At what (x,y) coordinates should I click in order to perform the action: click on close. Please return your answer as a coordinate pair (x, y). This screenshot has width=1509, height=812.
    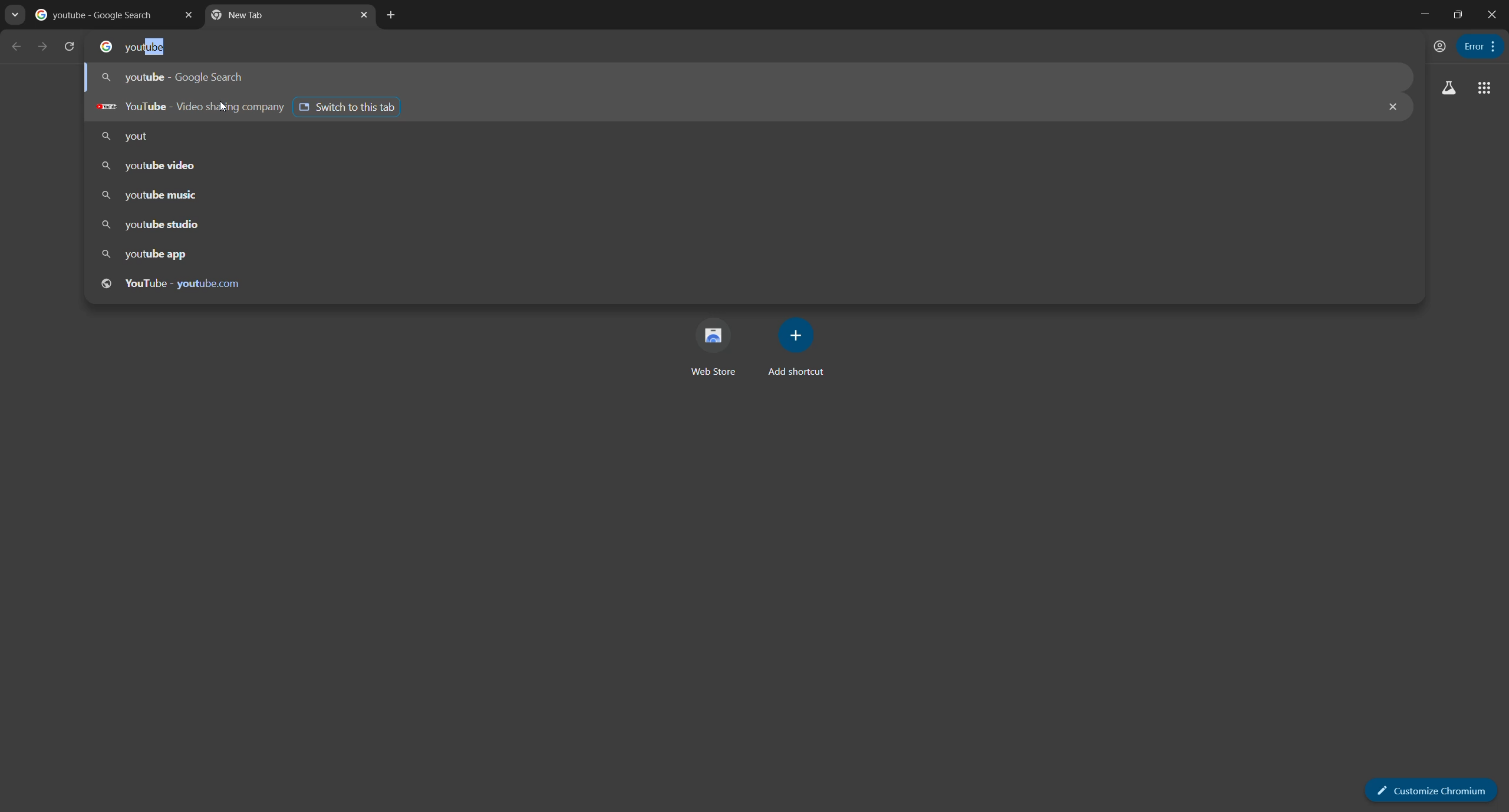
    Looking at the image, I should click on (1390, 108).